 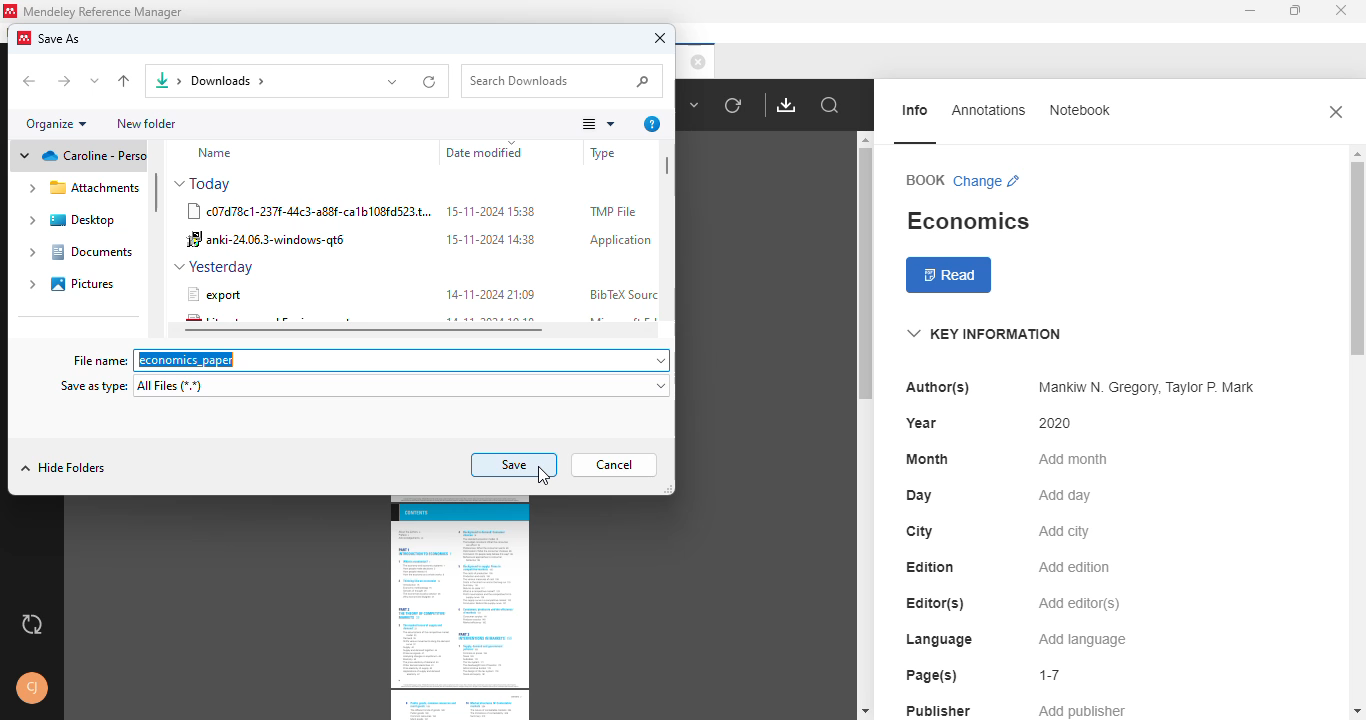 I want to click on TMP file, so click(x=613, y=212).